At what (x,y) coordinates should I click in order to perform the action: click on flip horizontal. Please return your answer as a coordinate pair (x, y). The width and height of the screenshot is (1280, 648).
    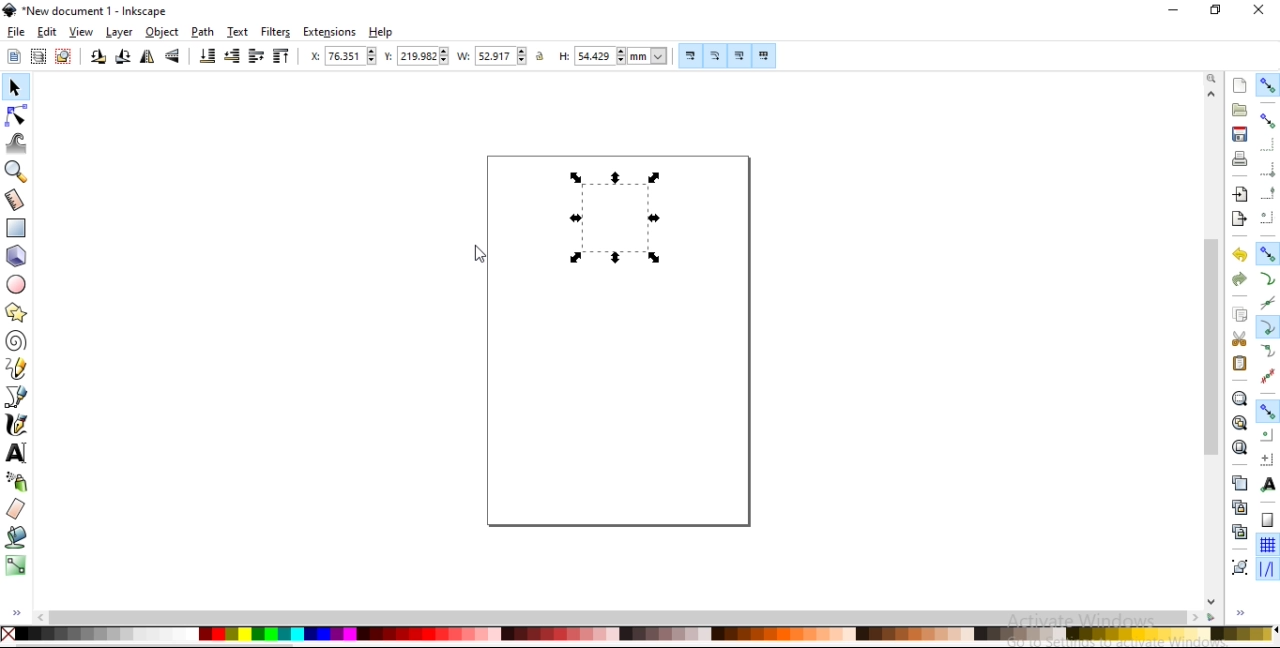
    Looking at the image, I should click on (147, 58).